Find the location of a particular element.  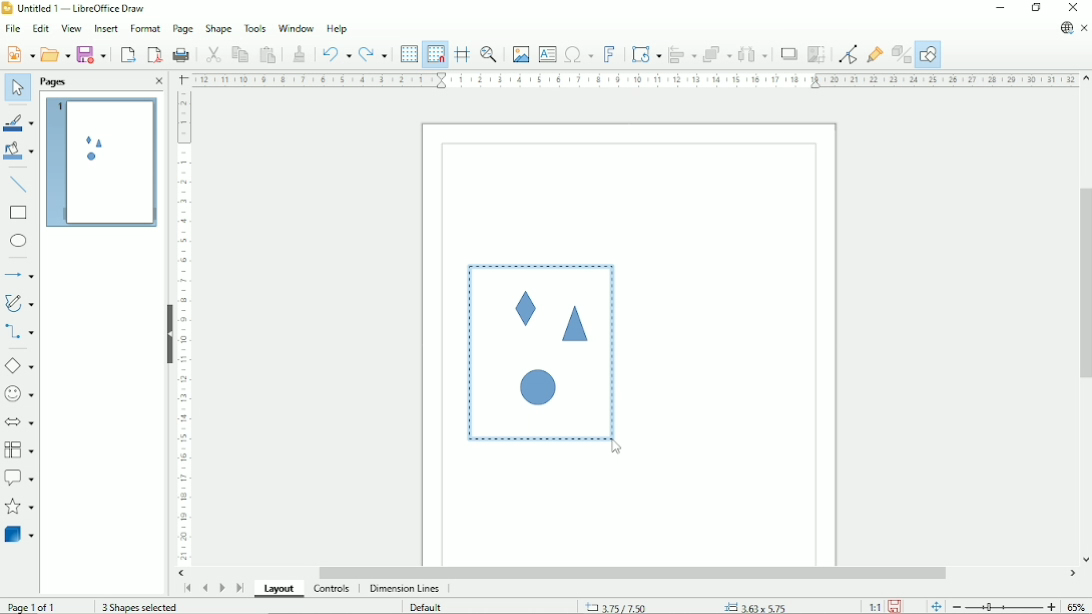

Dimension lines is located at coordinates (406, 589).